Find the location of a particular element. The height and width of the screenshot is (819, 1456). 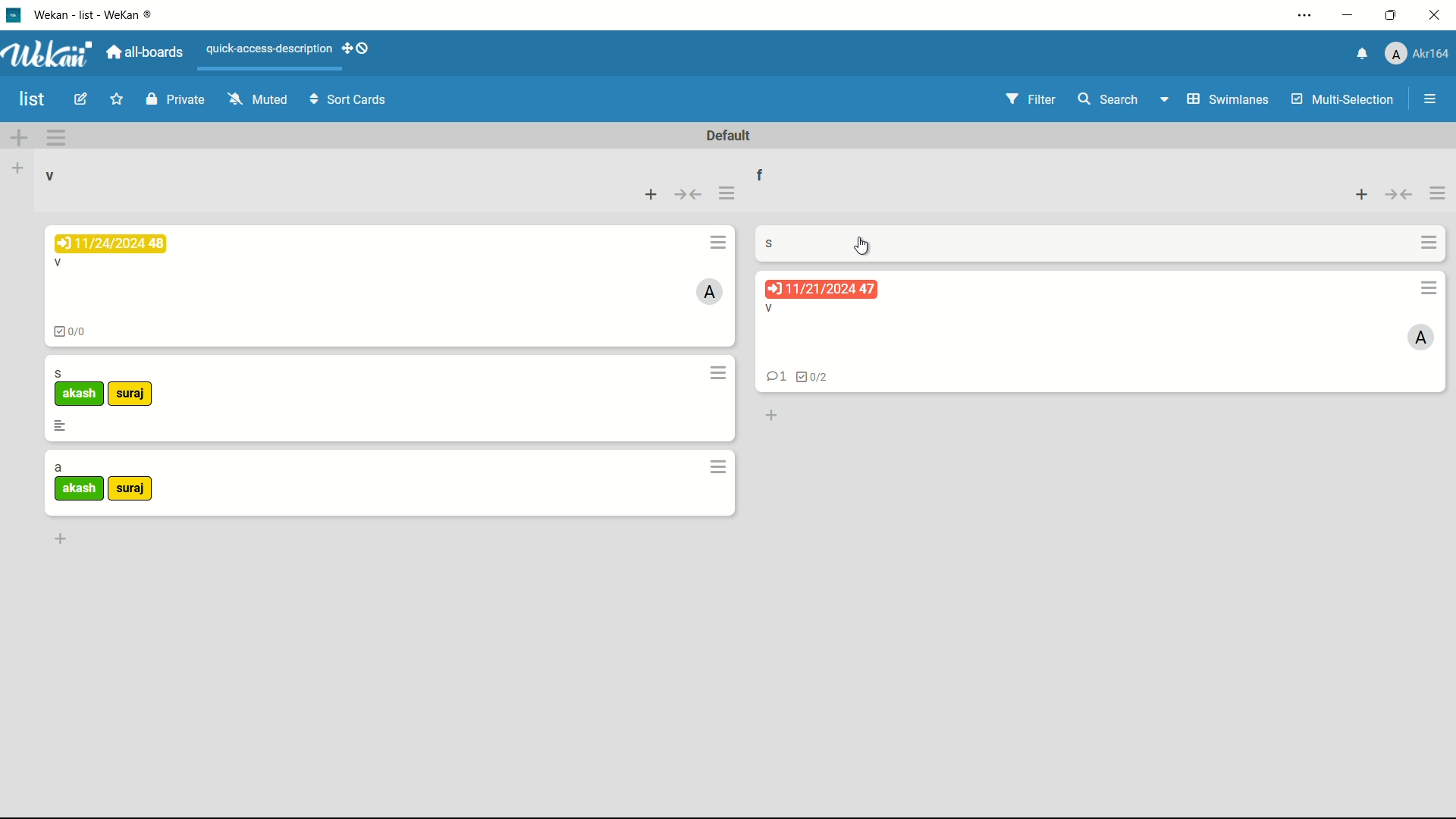

due date is located at coordinates (111, 243).